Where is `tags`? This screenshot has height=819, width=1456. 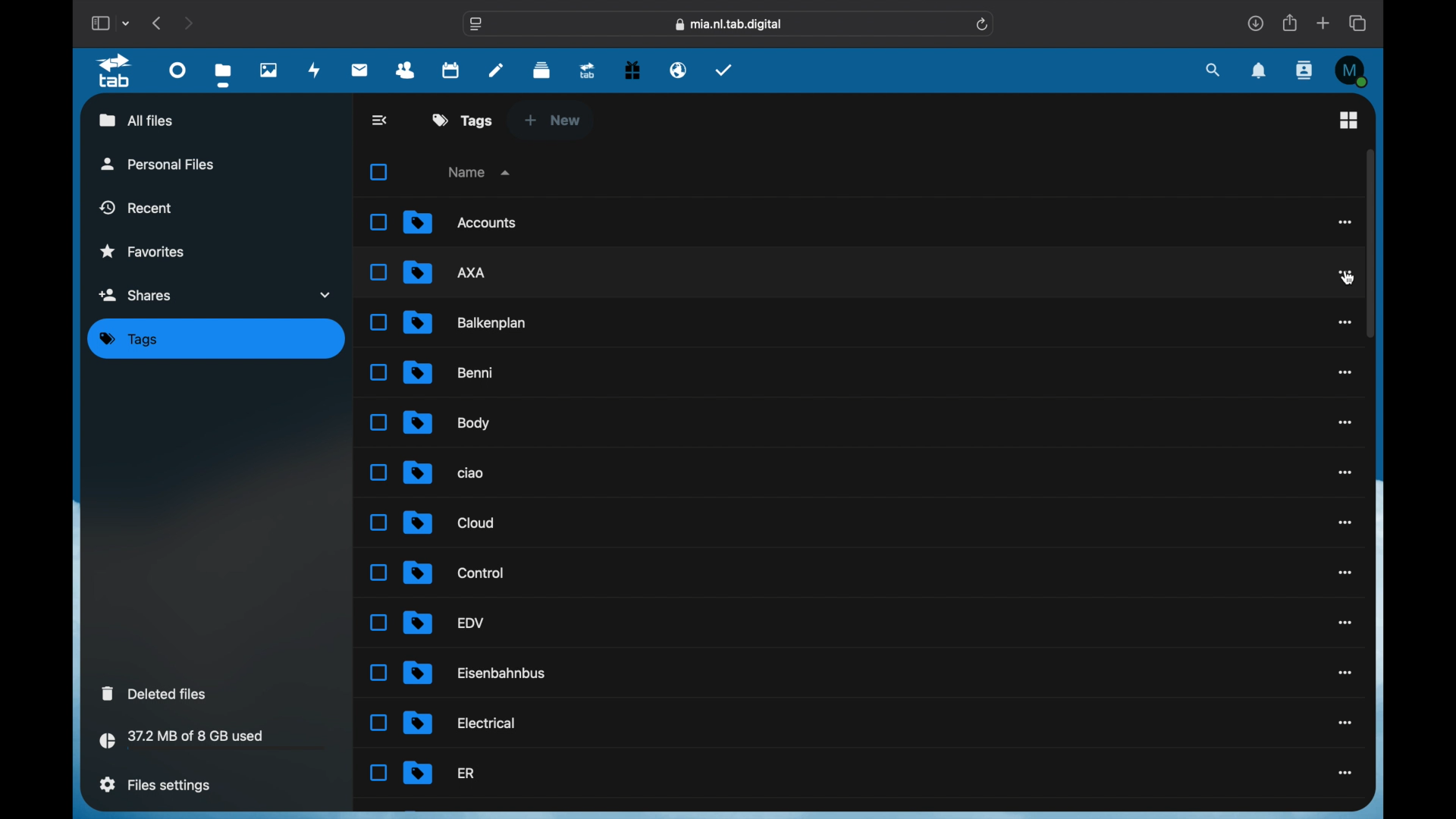 tags is located at coordinates (463, 120).